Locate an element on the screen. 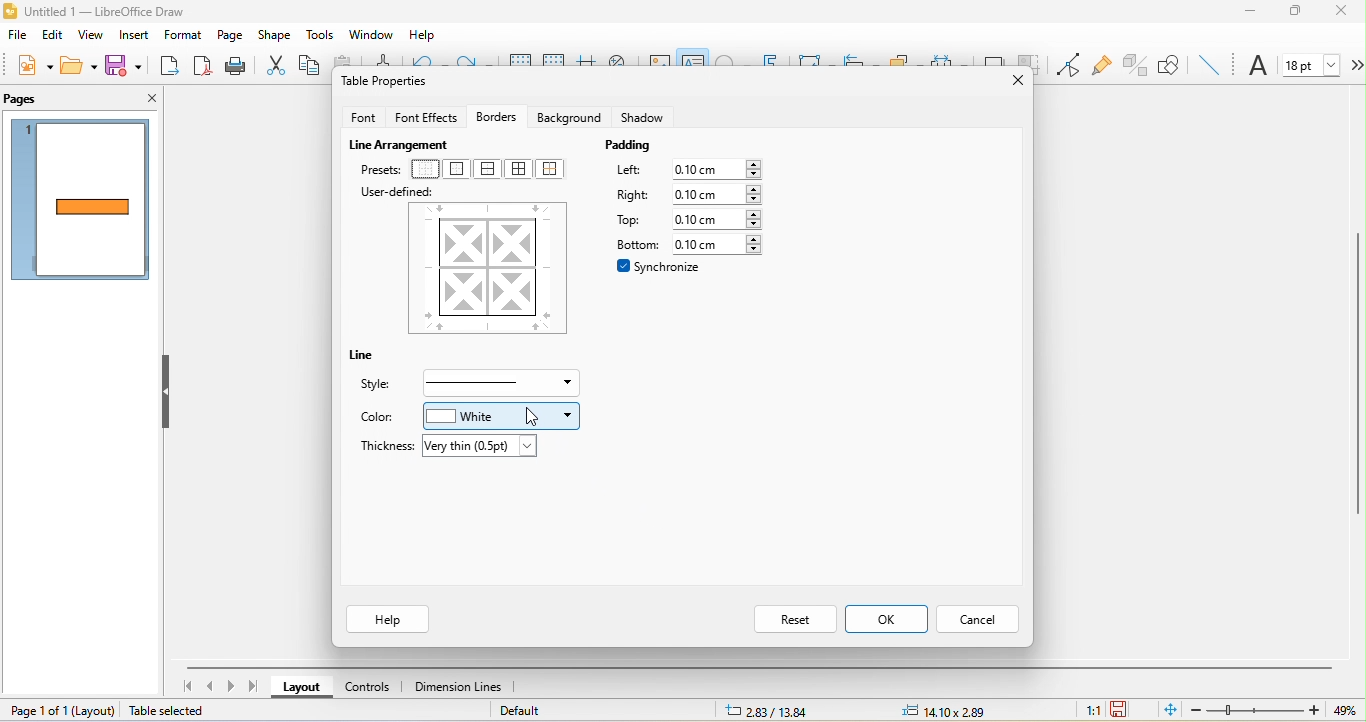 Image resolution: width=1366 pixels, height=722 pixels. live arrangement is located at coordinates (403, 144).